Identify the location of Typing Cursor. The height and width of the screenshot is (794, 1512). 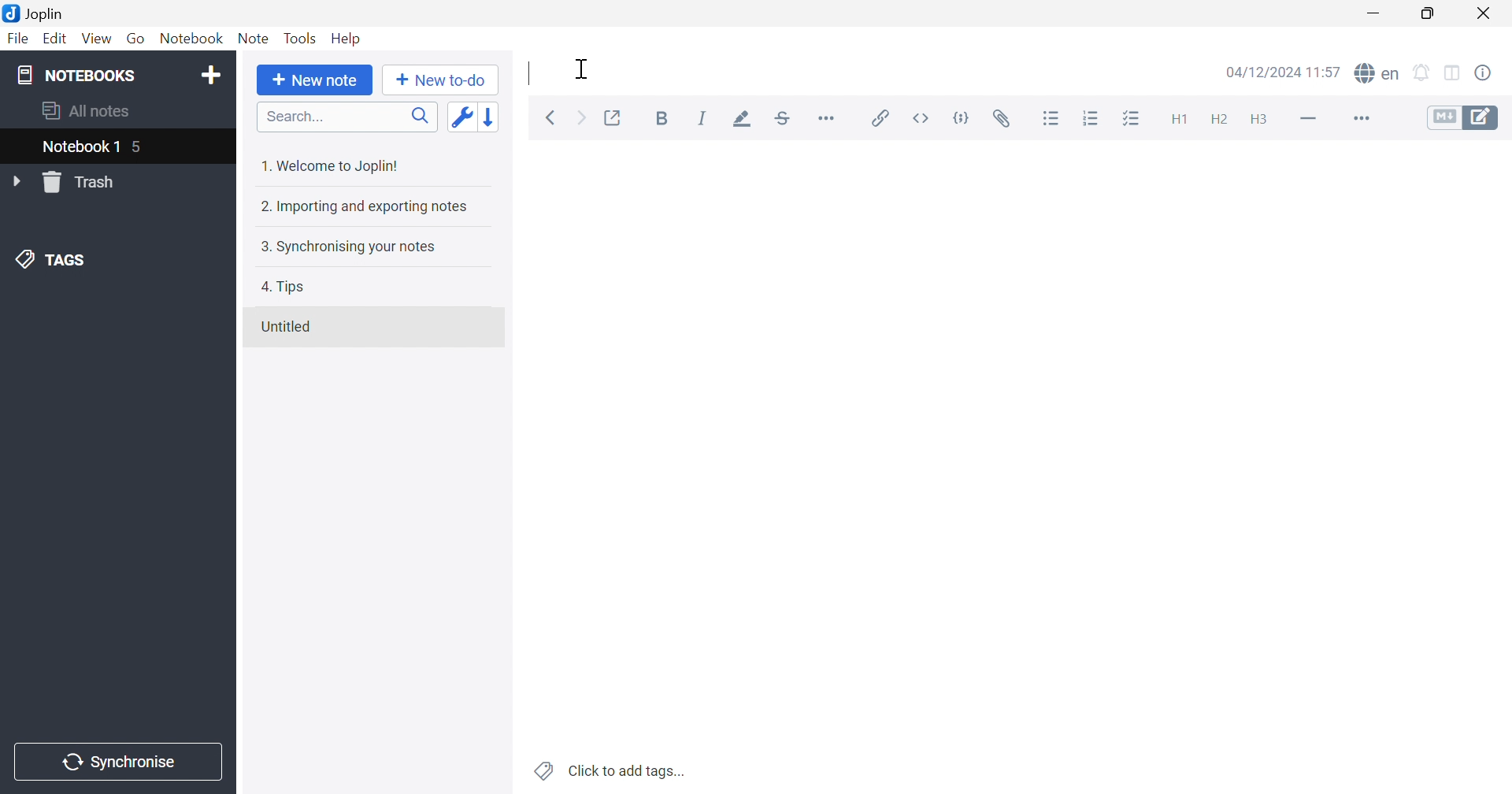
(584, 68).